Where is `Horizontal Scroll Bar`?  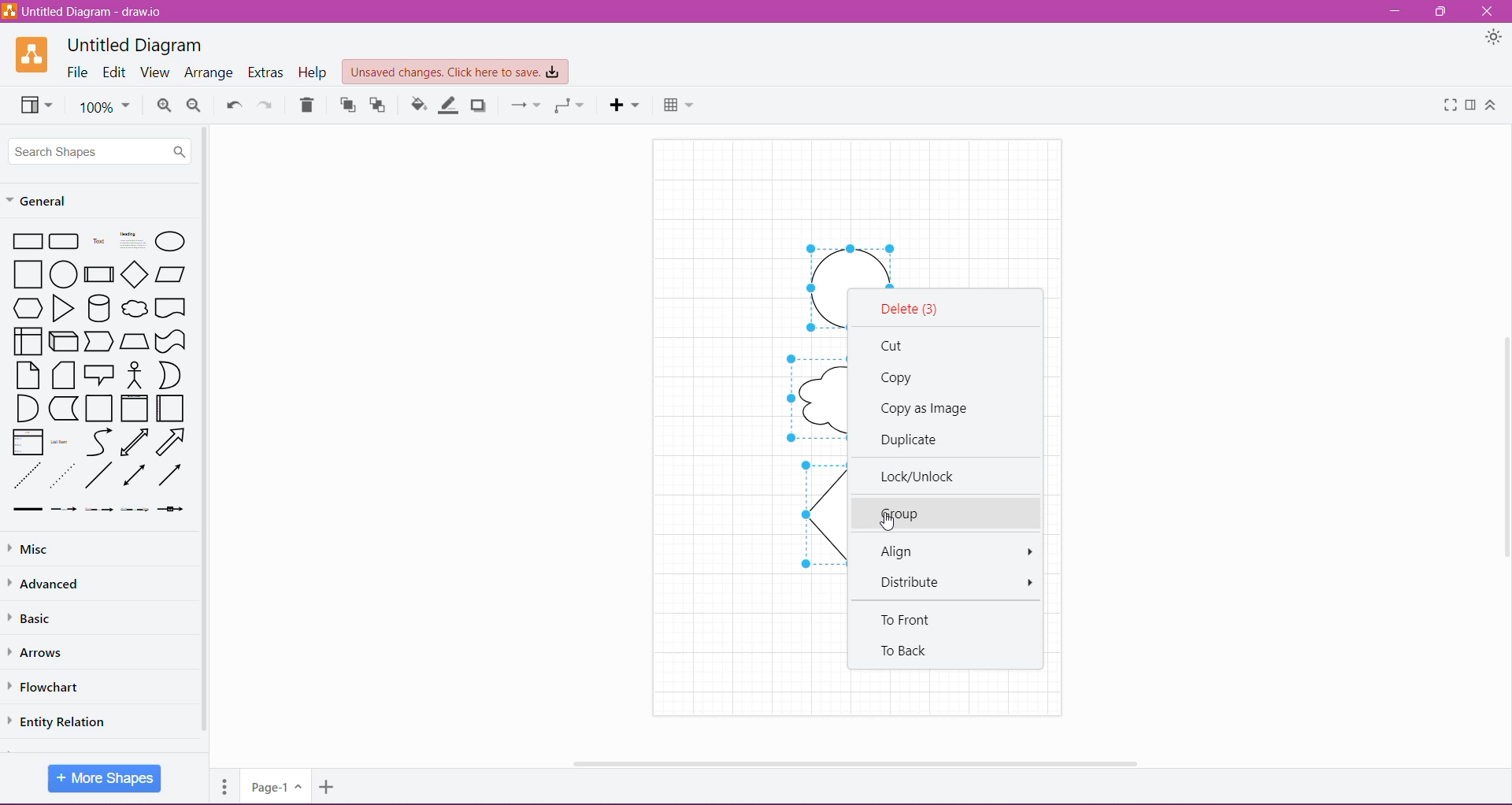 Horizontal Scroll Bar is located at coordinates (850, 759).